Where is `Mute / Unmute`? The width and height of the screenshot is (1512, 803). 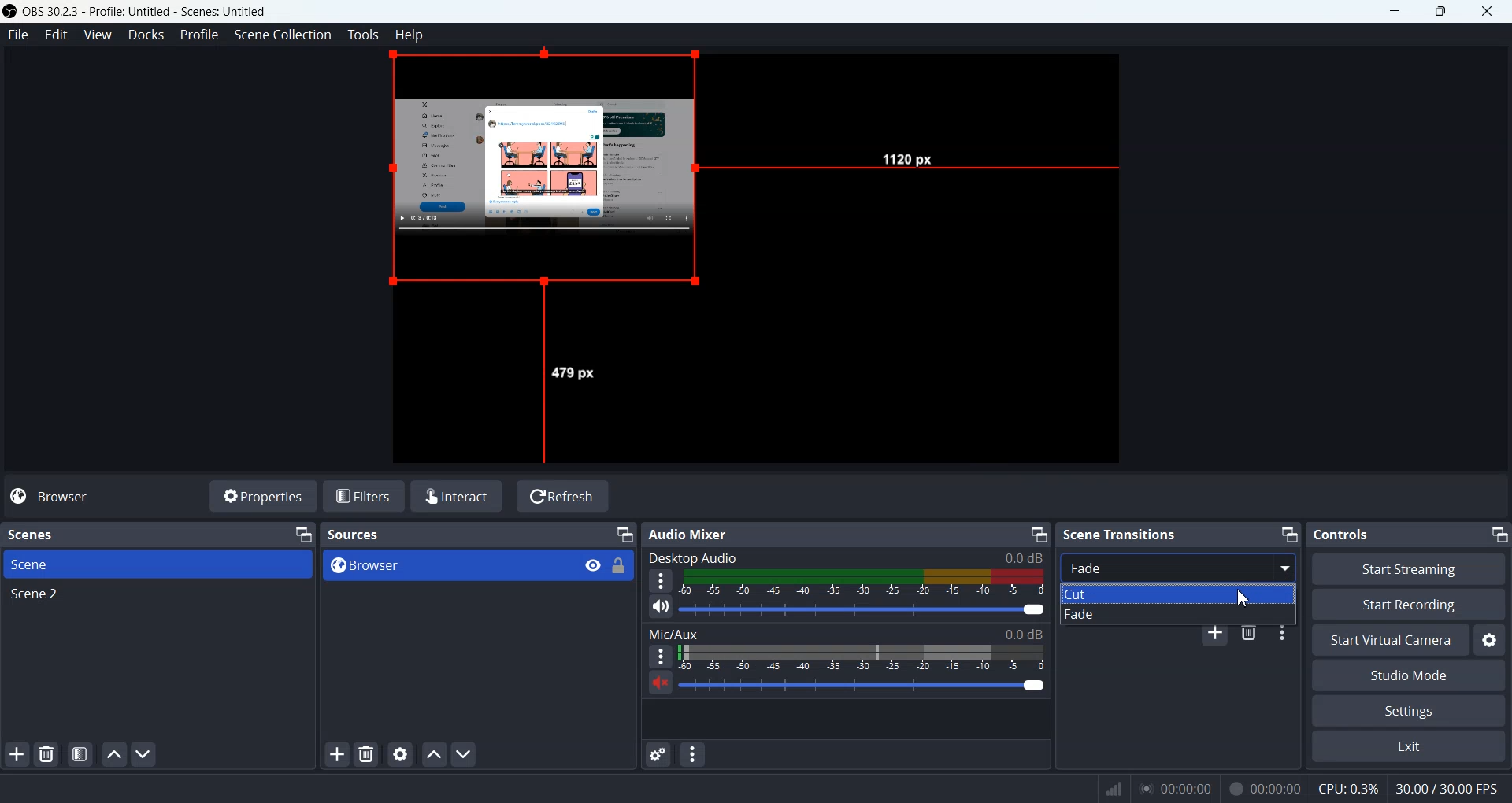 Mute / Unmute is located at coordinates (658, 682).